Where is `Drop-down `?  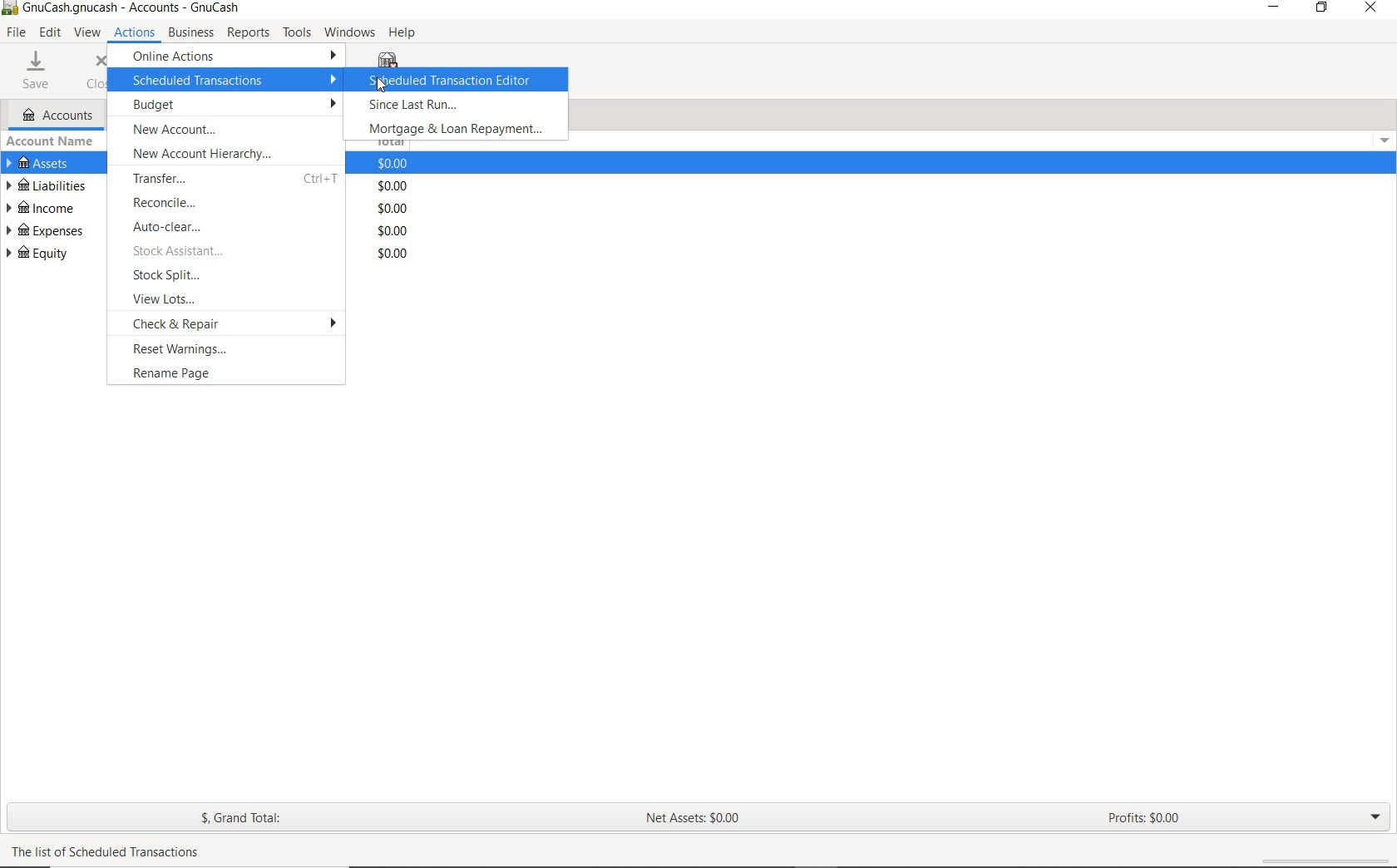
Drop-down  is located at coordinates (1385, 141).